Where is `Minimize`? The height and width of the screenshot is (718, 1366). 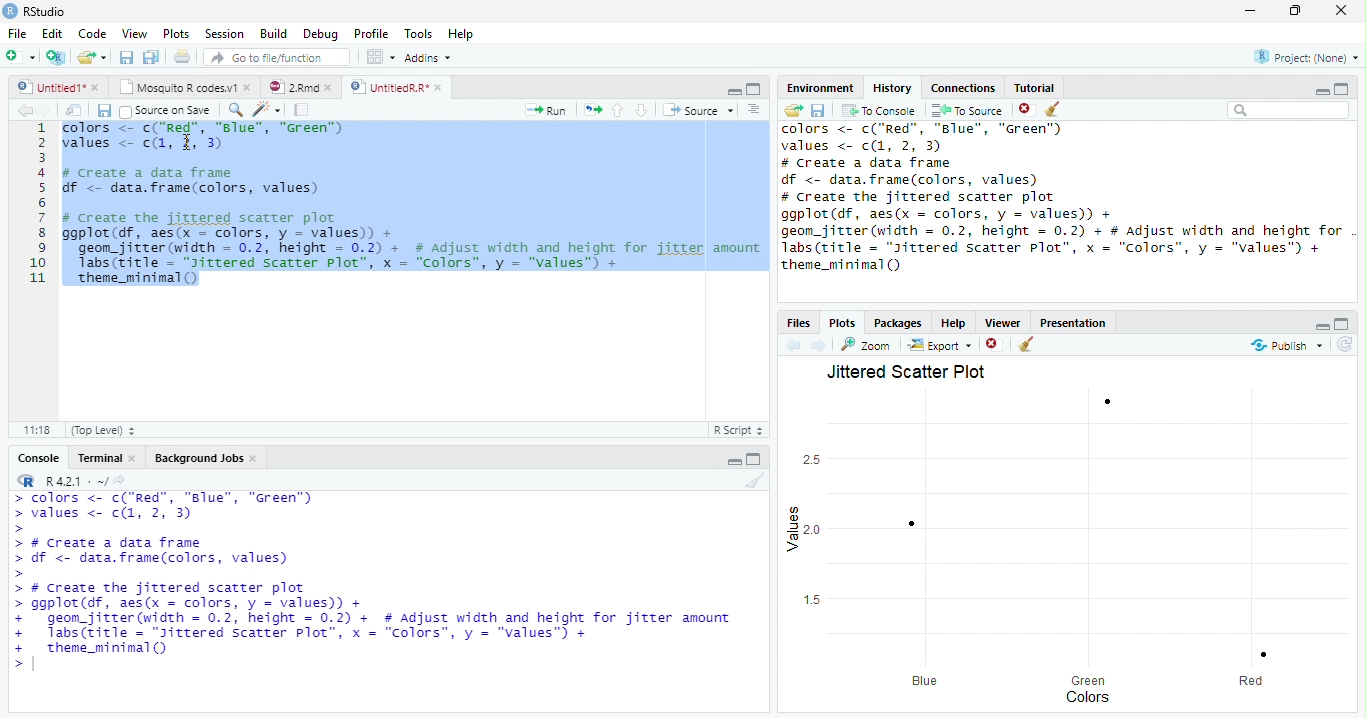
Minimize is located at coordinates (1321, 326).